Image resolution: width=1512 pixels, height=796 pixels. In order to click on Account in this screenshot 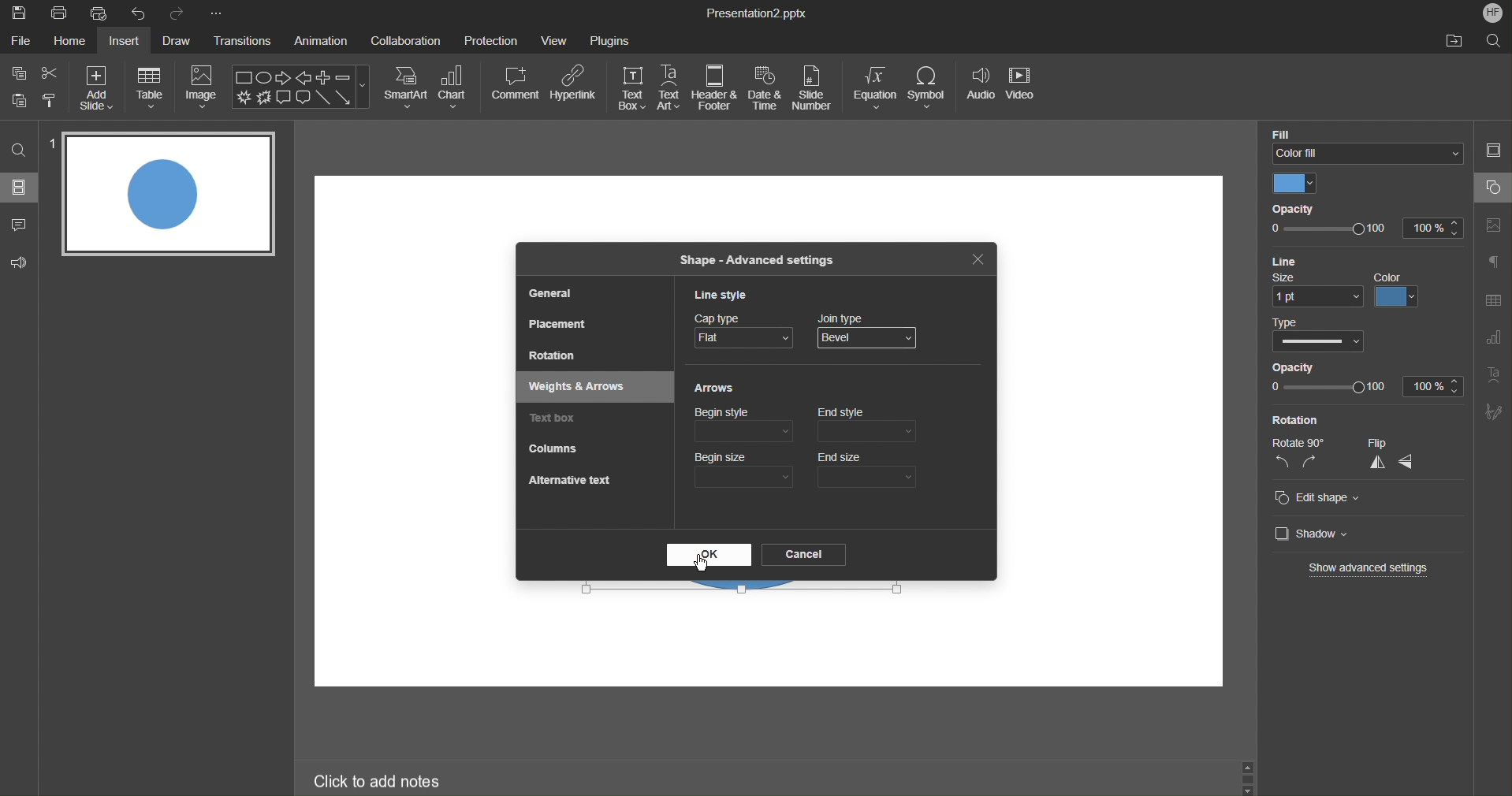, I will do `click(1490, 12)`.